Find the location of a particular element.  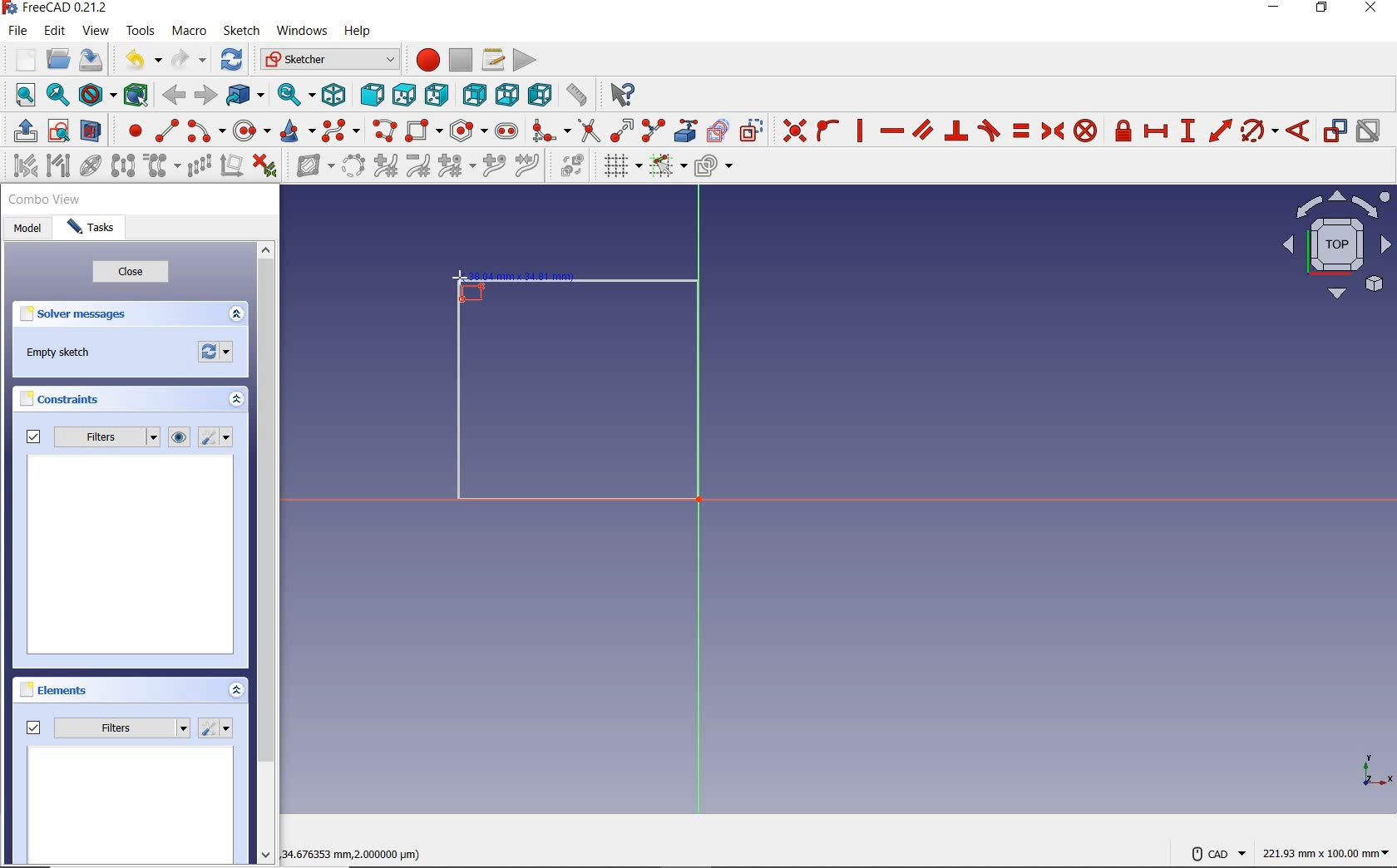

model is located at coordinates (30, 230).